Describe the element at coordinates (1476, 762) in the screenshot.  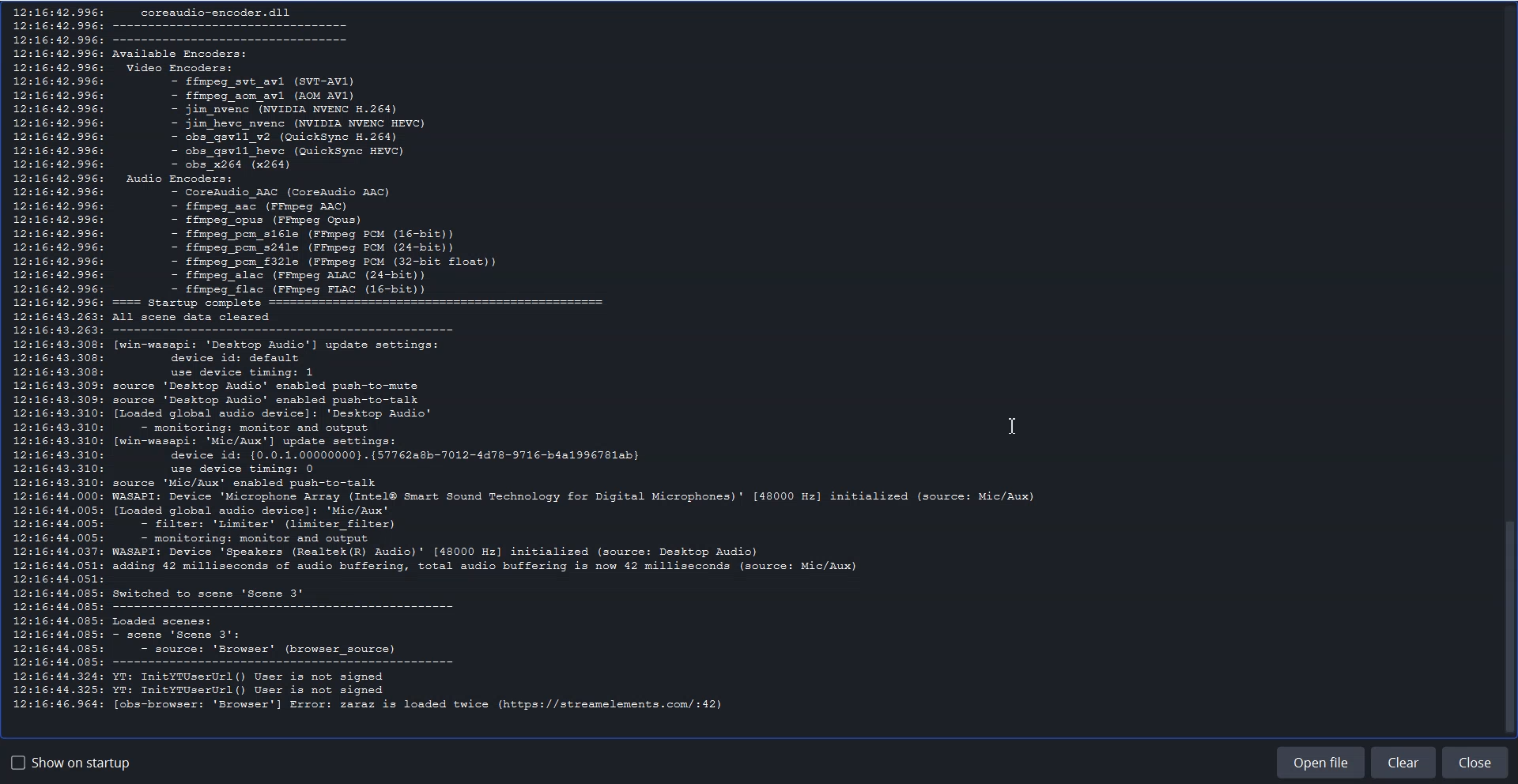
I see `Close` at that location.